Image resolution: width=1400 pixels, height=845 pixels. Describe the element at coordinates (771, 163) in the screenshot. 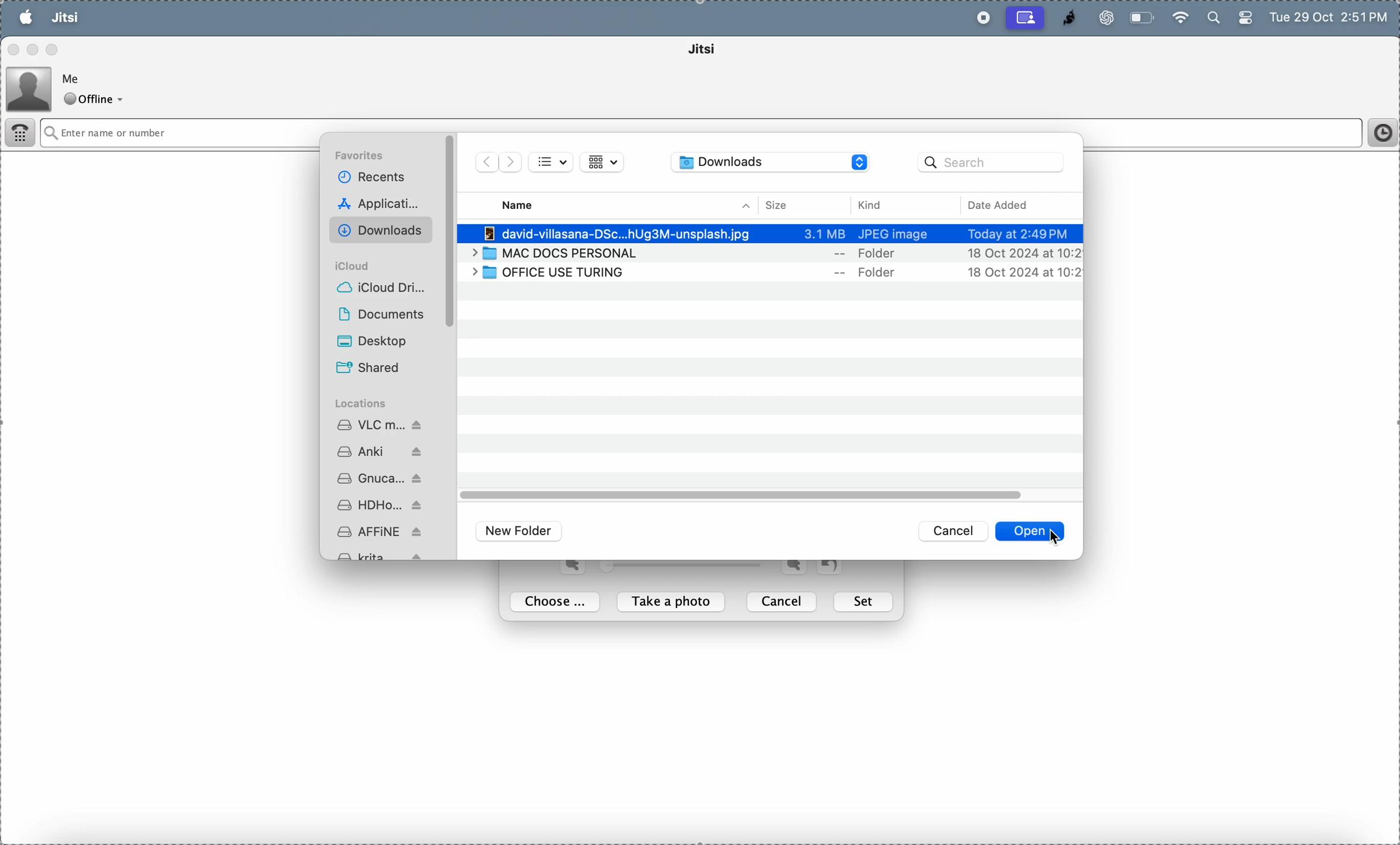

I see `downloads` at that location.